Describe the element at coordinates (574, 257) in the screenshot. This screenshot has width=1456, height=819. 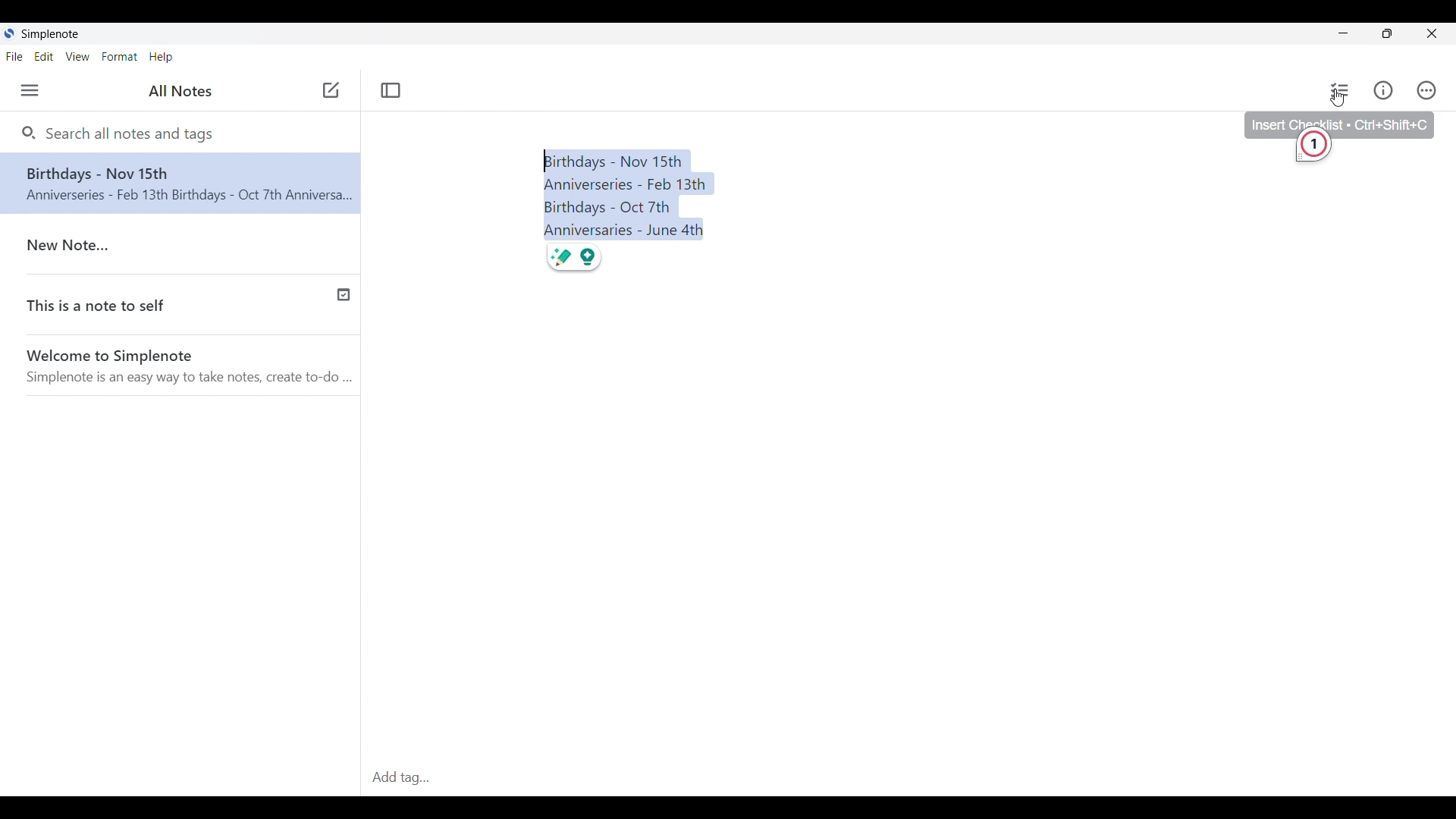
I see `Grammarly extension on selected text` at that location.